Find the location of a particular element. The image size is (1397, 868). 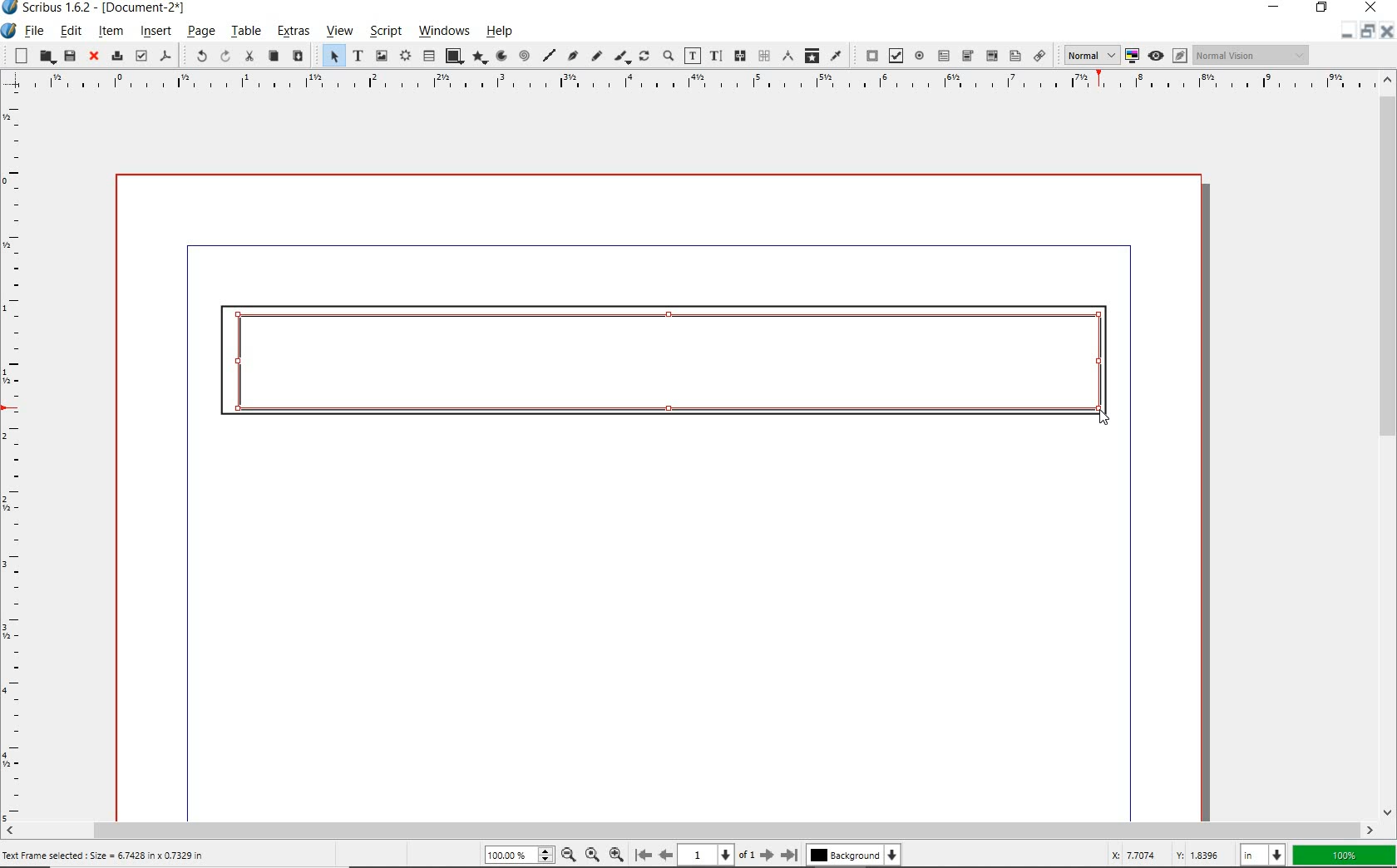

coordinates is located at coordinates (1164, 856).